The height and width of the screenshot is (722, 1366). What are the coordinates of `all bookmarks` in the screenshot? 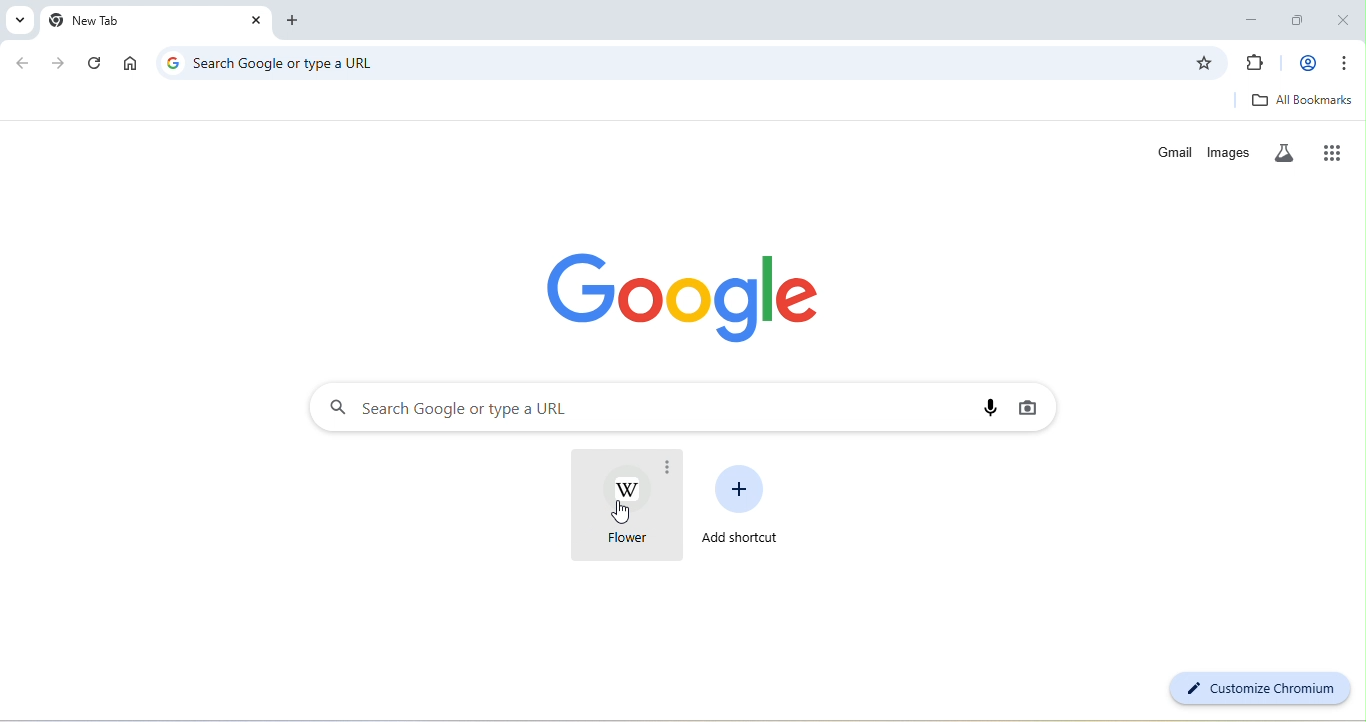 It's located at (1302, 100).